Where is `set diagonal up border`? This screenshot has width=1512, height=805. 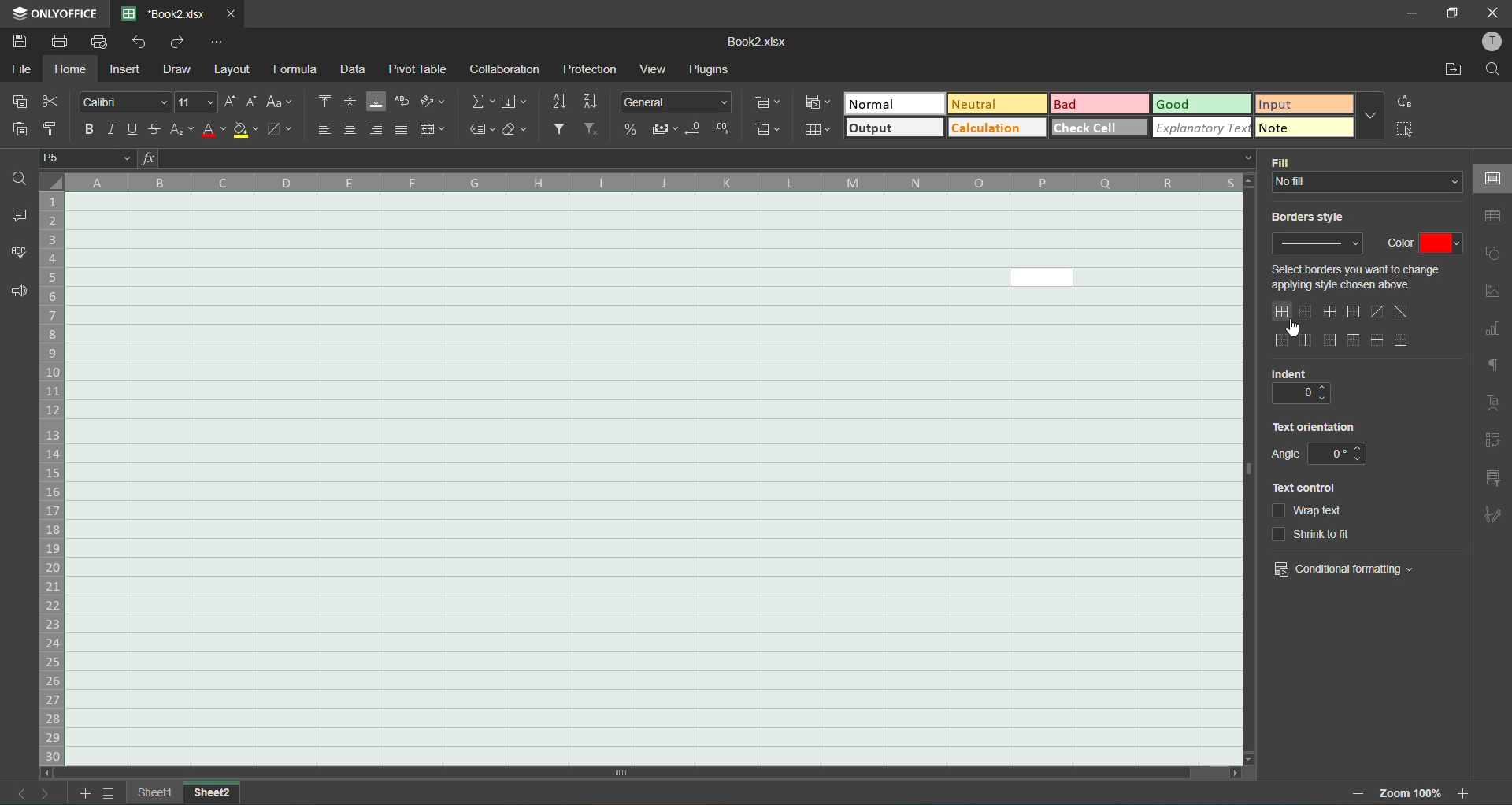 set diagonal up border is located at coordinates (1377, 313).